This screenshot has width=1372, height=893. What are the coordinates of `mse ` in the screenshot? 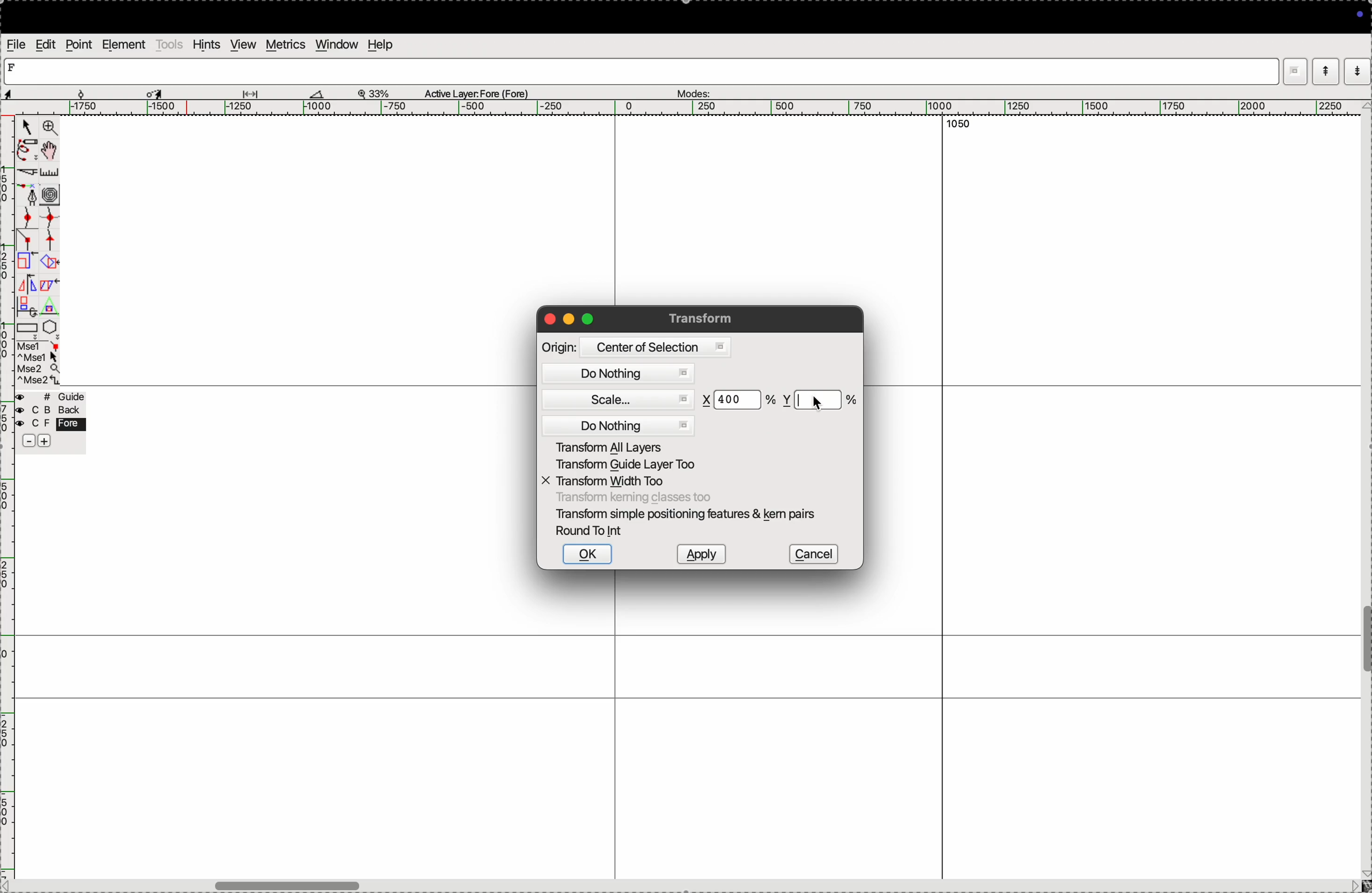 It's located at (39, 363).